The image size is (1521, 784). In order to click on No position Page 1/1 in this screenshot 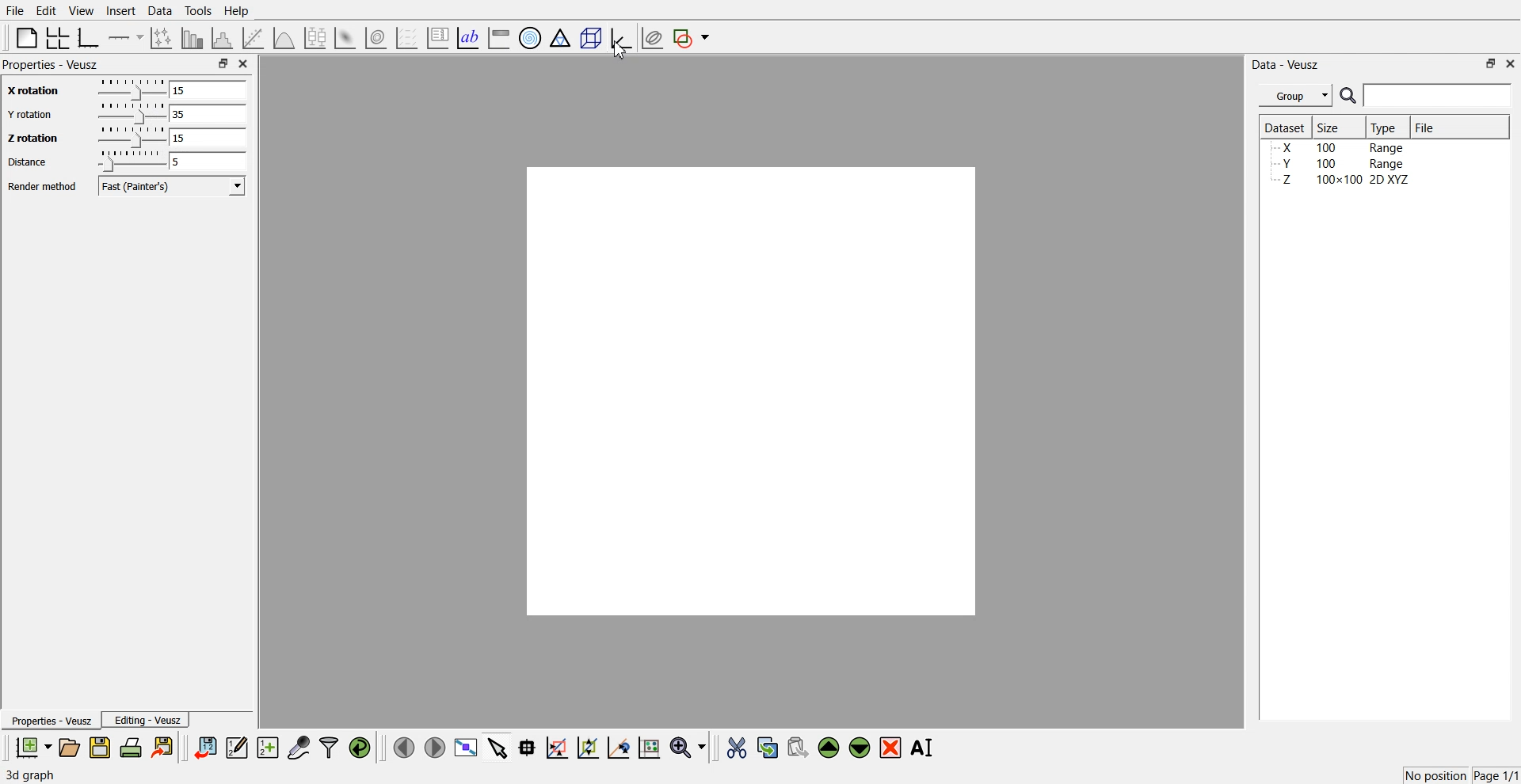, I will do `click(1461, 775)`.